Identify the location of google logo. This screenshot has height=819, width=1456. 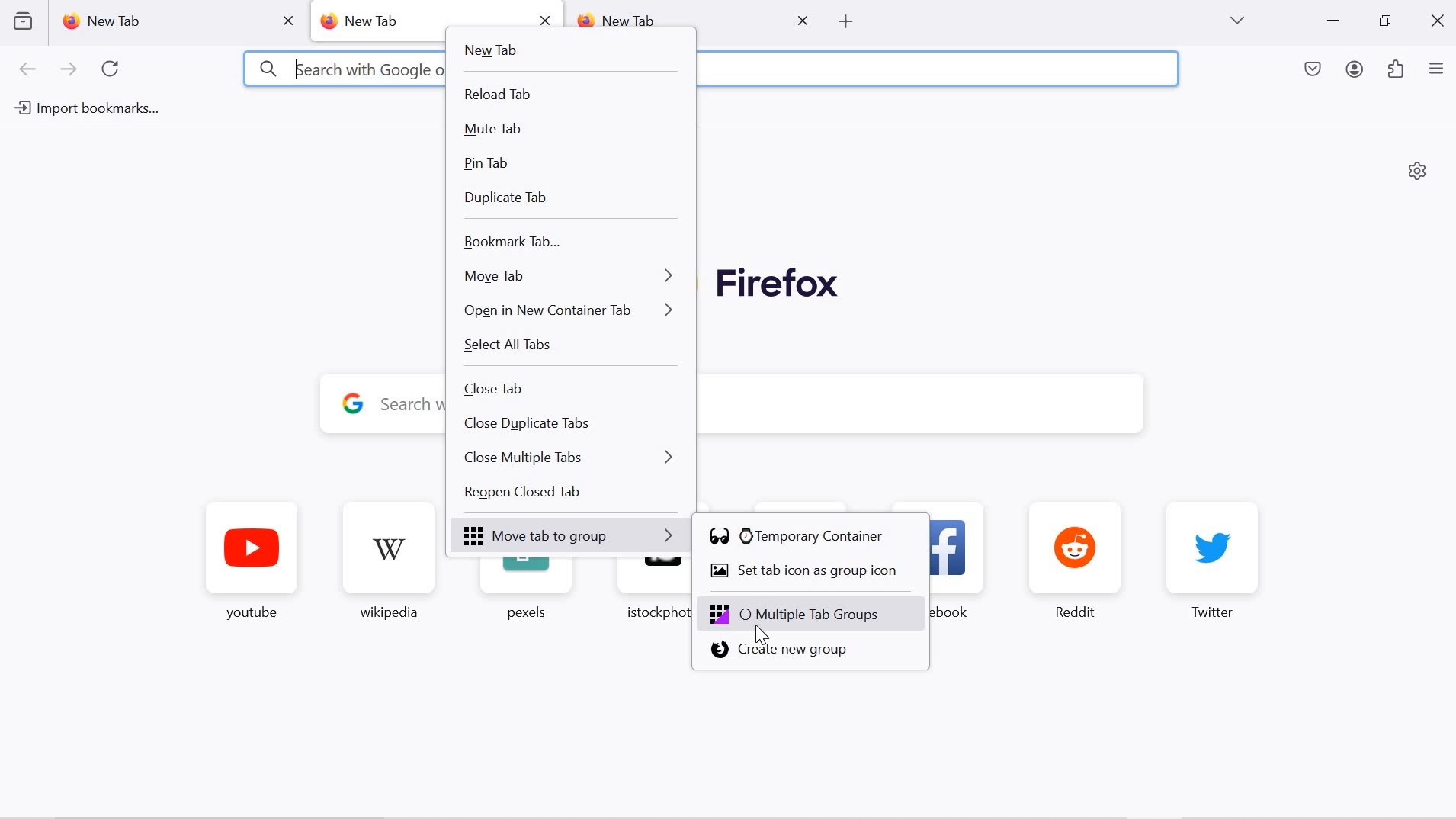
(353, 402).